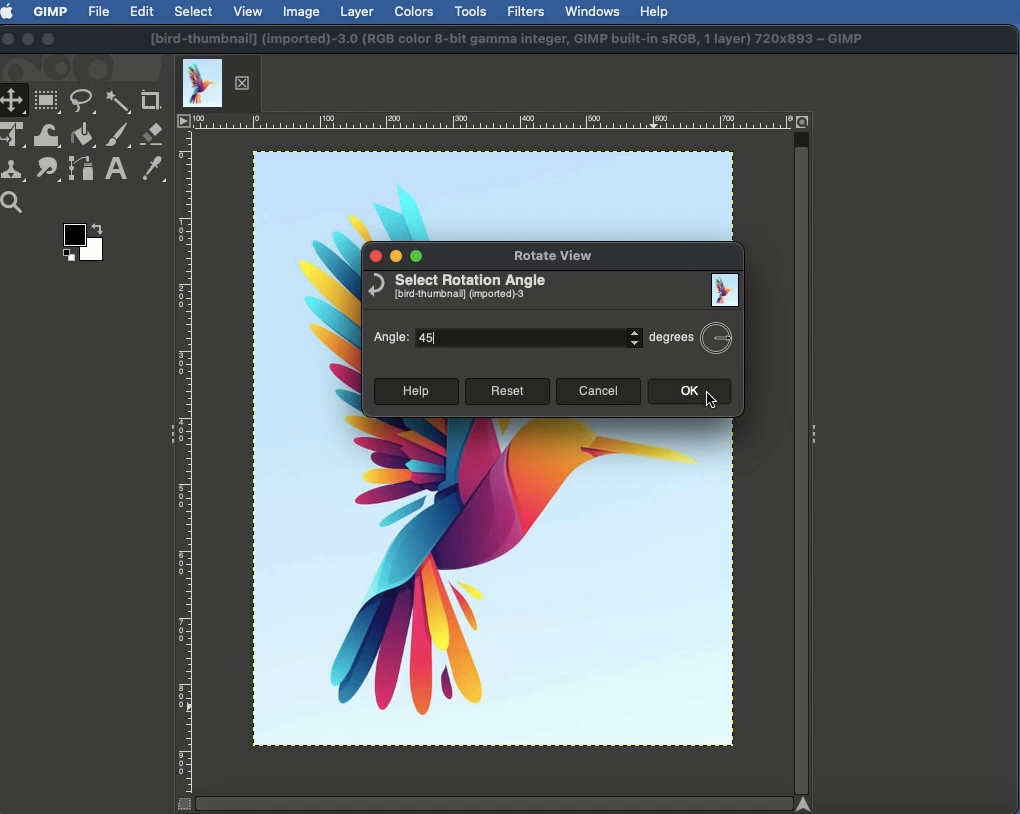  I want to click on Freeform selector, so click(84, 104).